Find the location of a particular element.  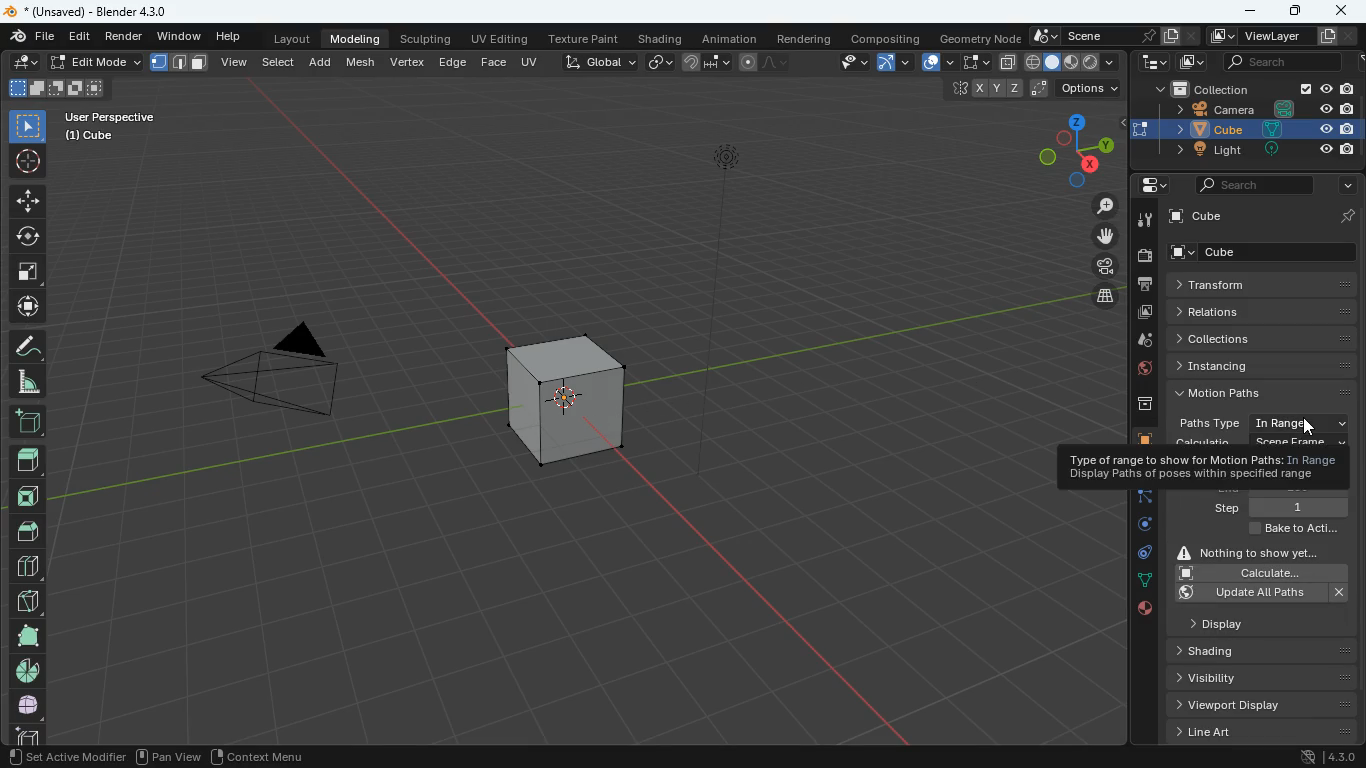

arc is located at coordinates (896, 62).